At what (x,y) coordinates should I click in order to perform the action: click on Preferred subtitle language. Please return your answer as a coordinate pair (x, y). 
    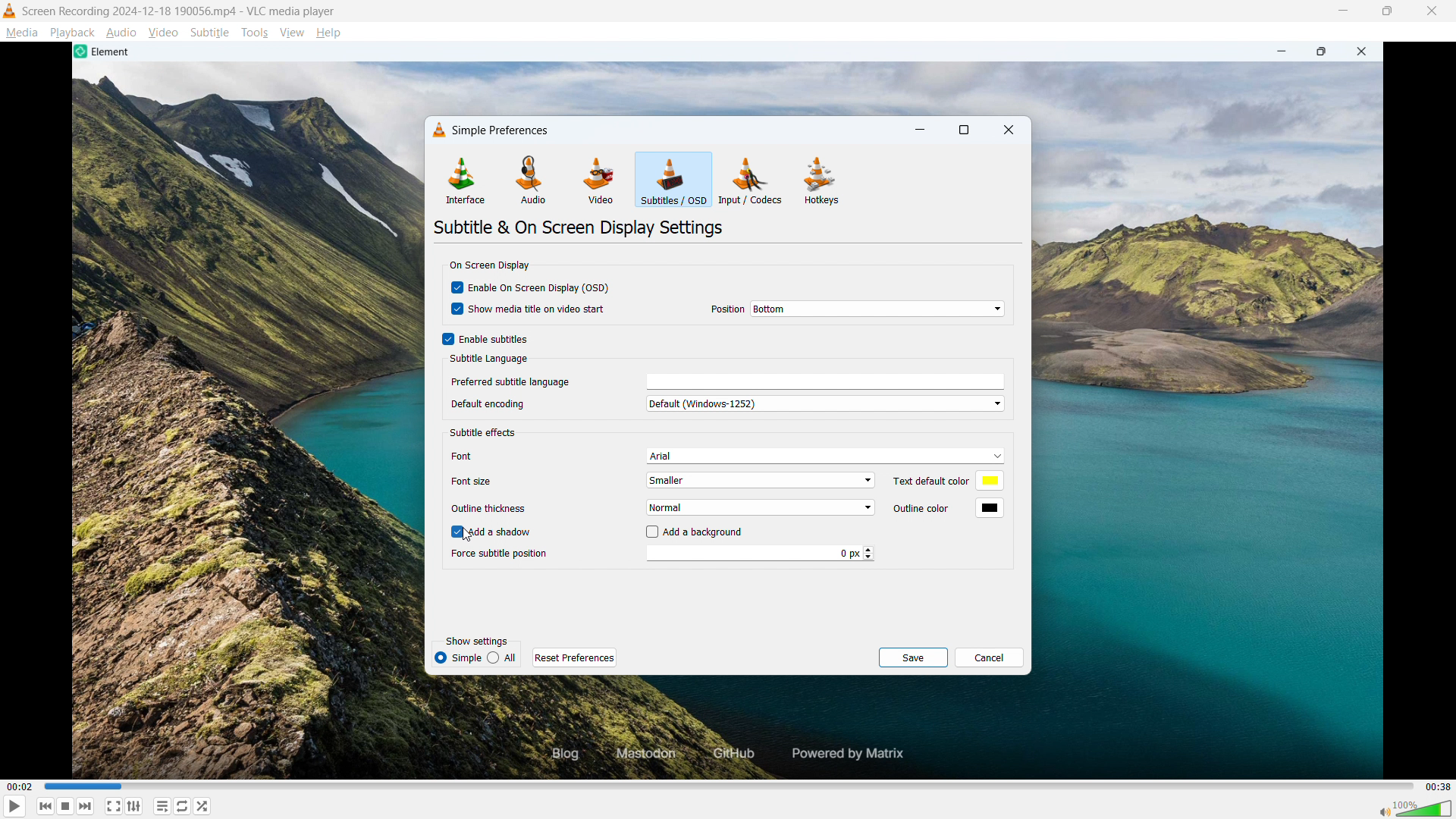
    Looking at the image, I should click on (523, 382).